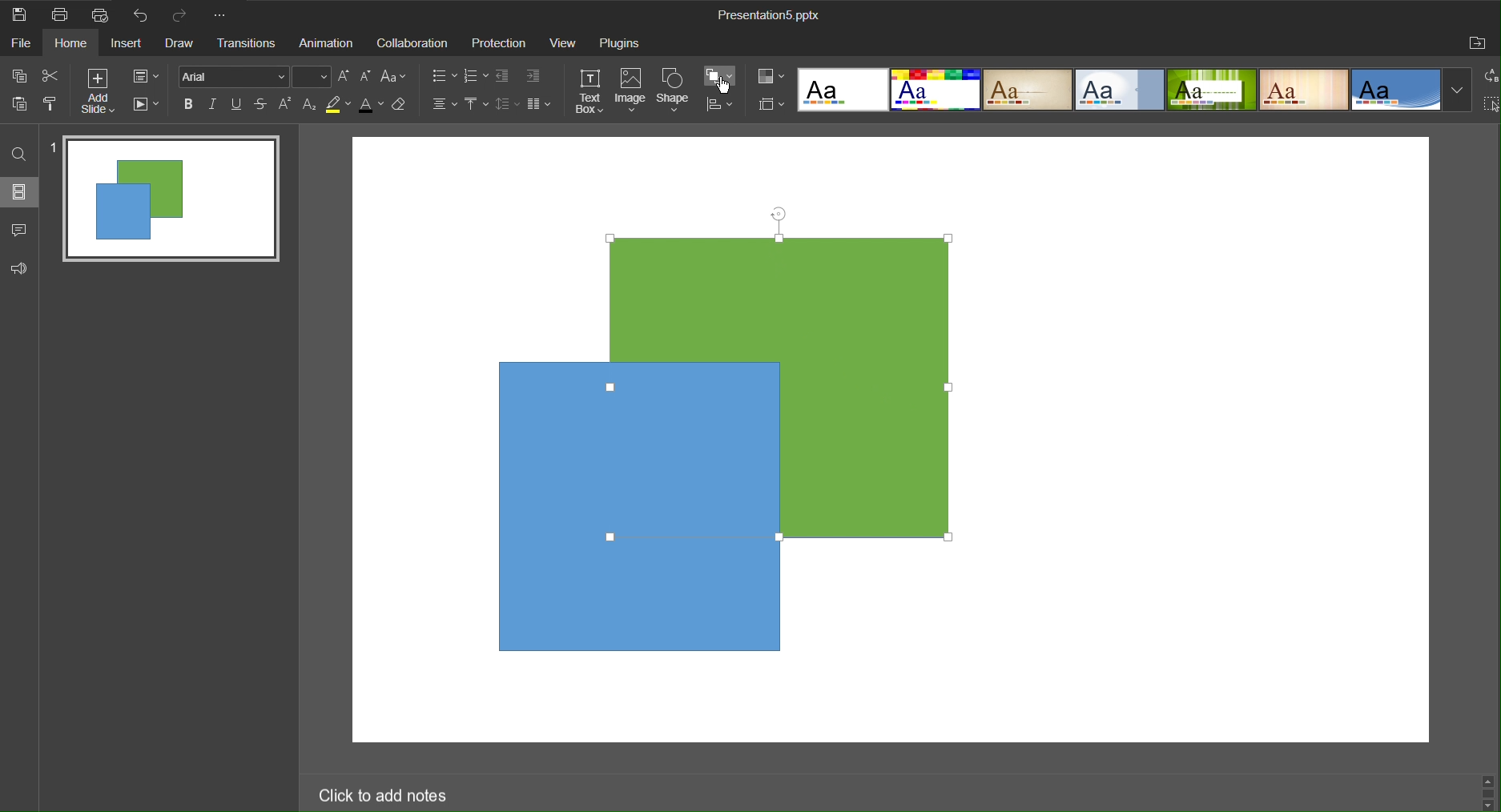 The height and width of the screenshot is (812, 1501). What do you see at coordinates (132, 44) in the screenshot?
I see `Insert` at bounding box center [132, 44].